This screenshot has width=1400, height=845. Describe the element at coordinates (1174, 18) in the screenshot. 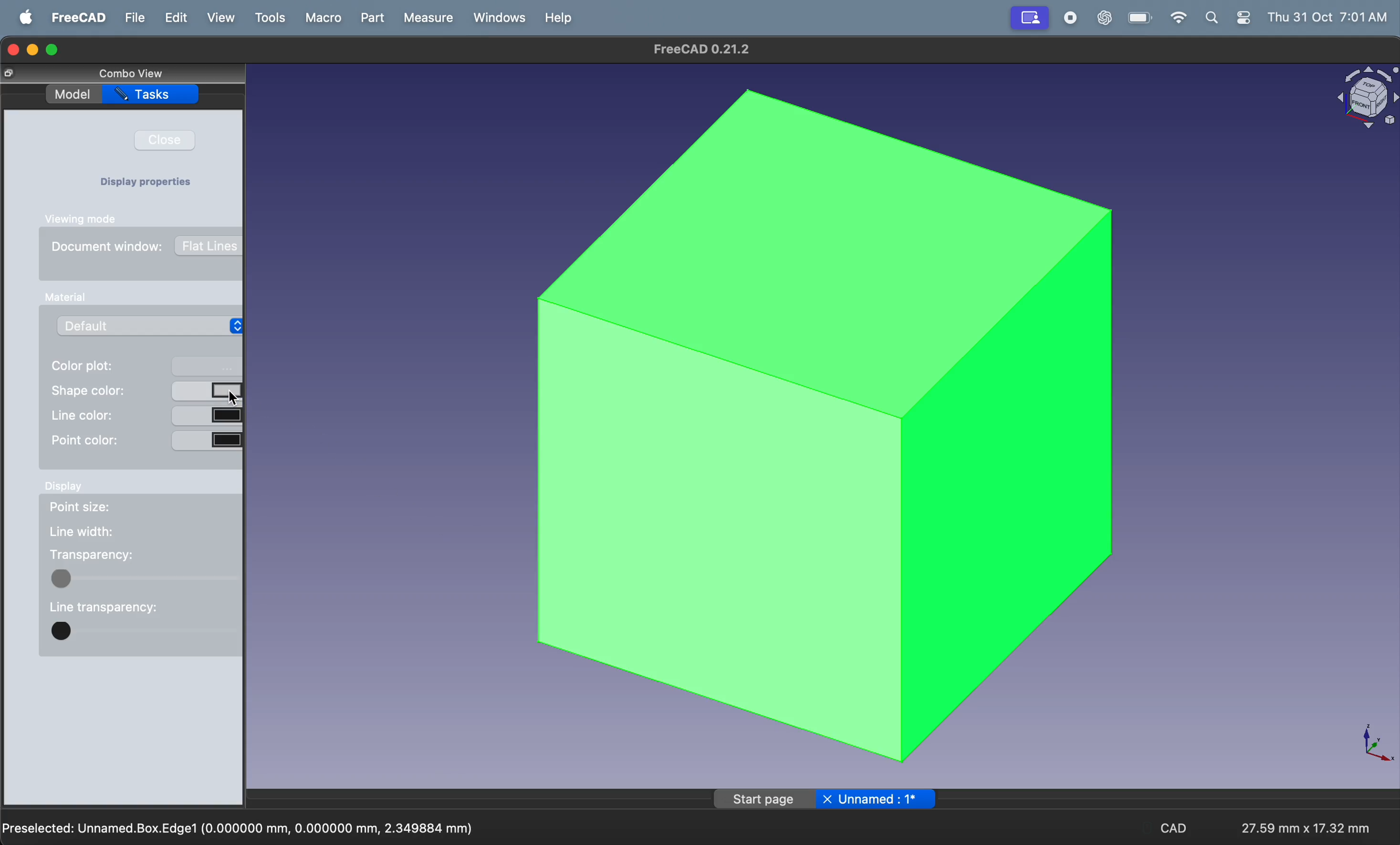

I see `wifi` at that location.